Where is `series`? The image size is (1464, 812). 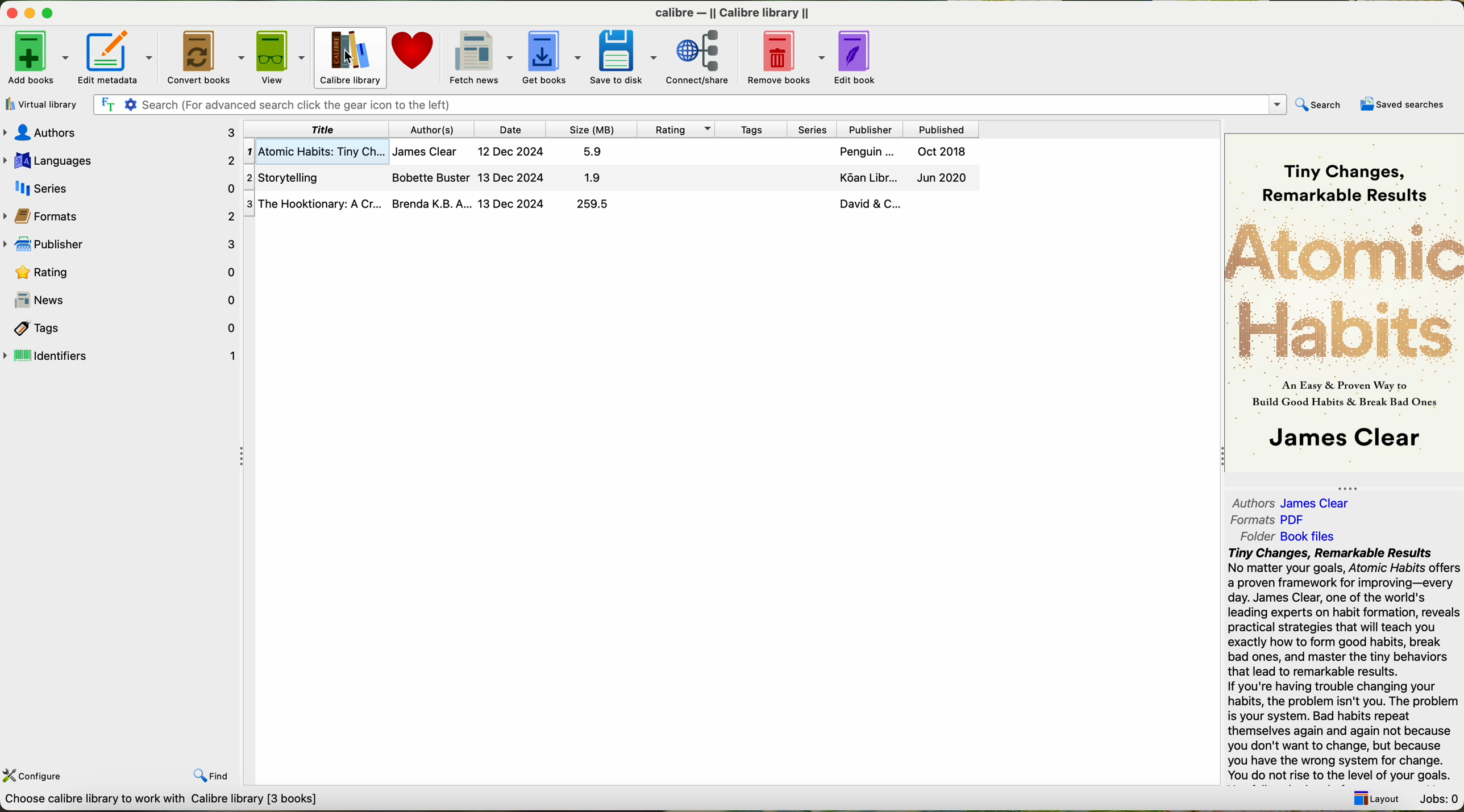 series is located at coordinates (809, 128).